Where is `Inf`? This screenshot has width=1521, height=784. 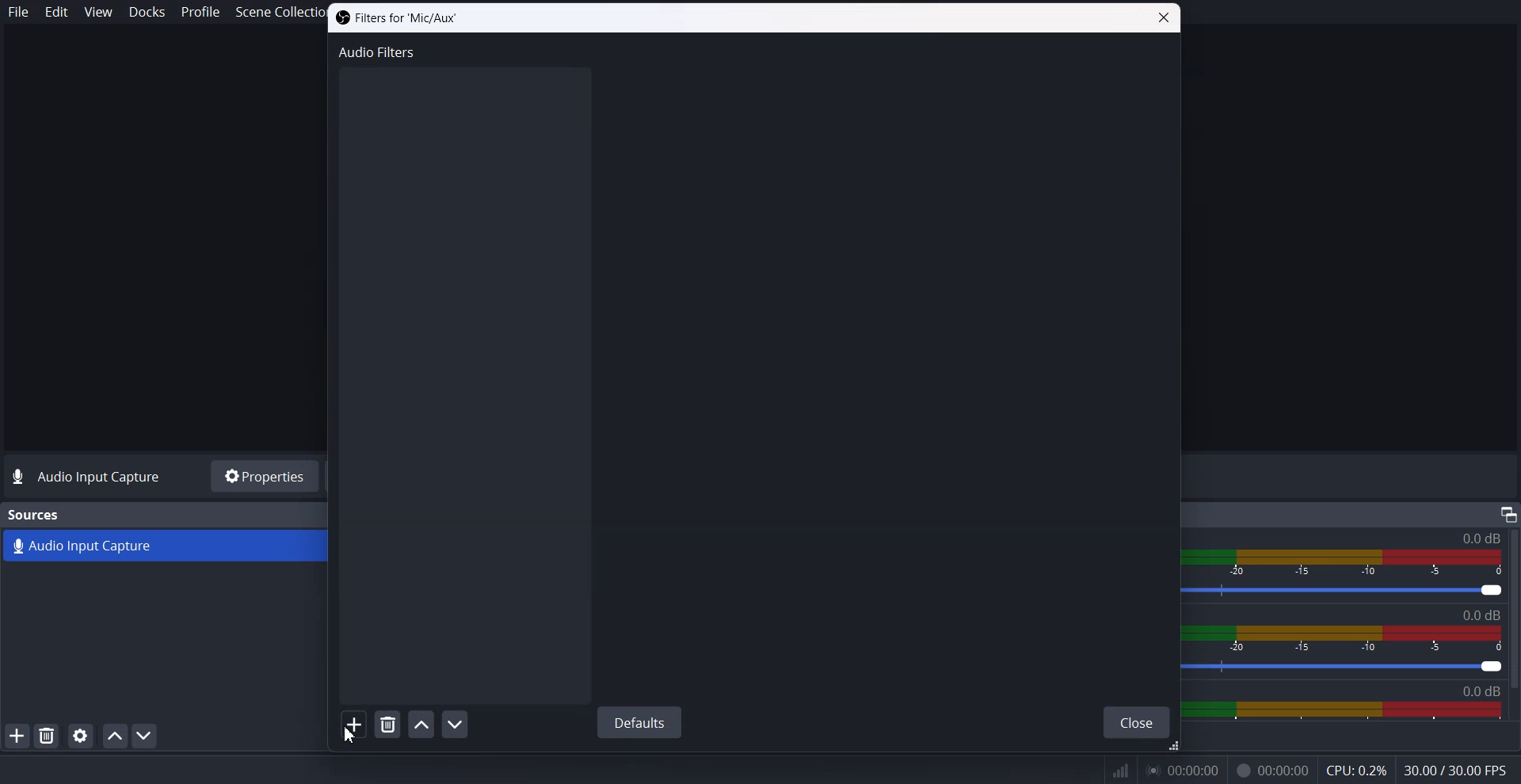
Inf is located at coordinates (1121, 771).